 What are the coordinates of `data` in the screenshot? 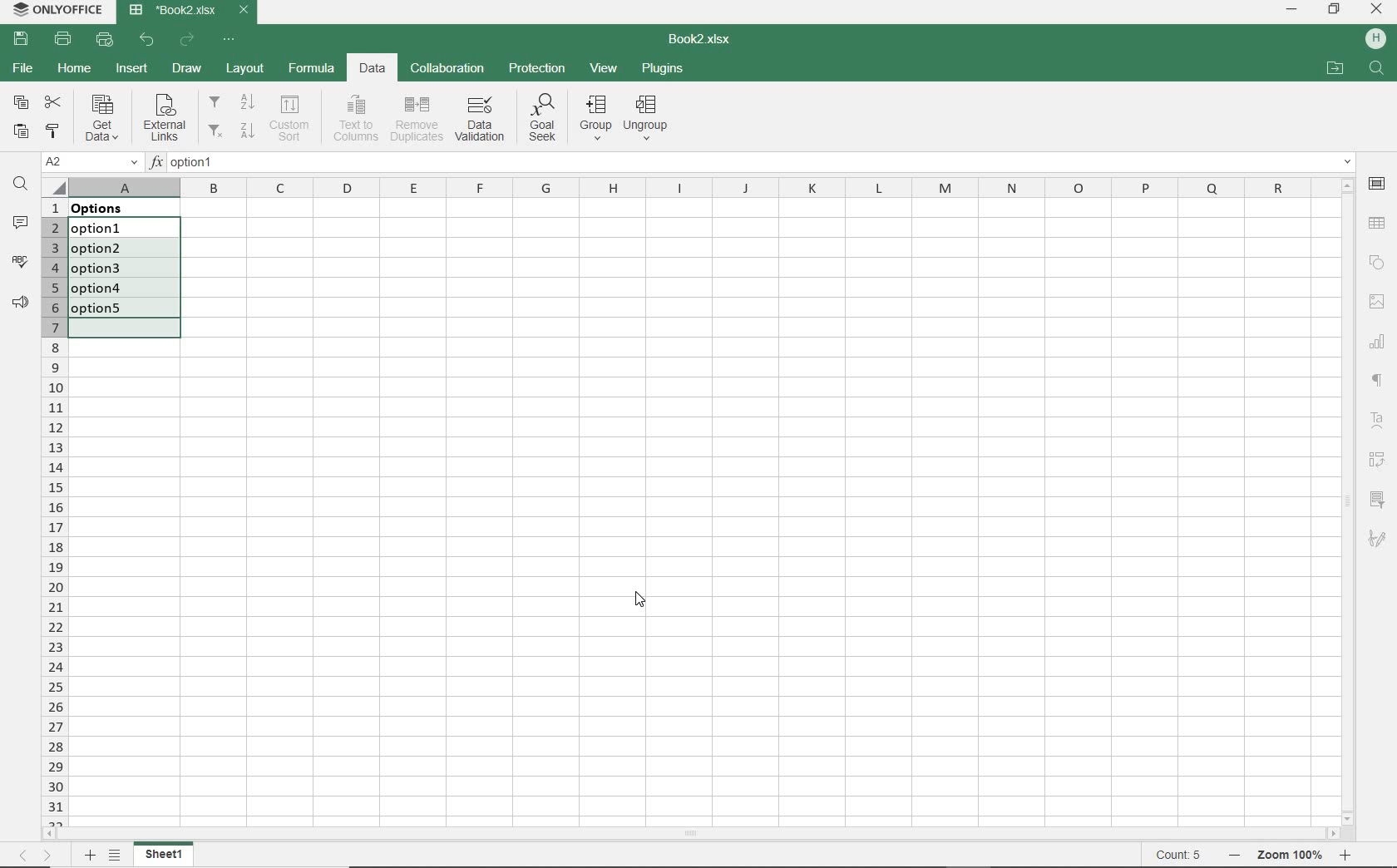 It's located at (110, 208).